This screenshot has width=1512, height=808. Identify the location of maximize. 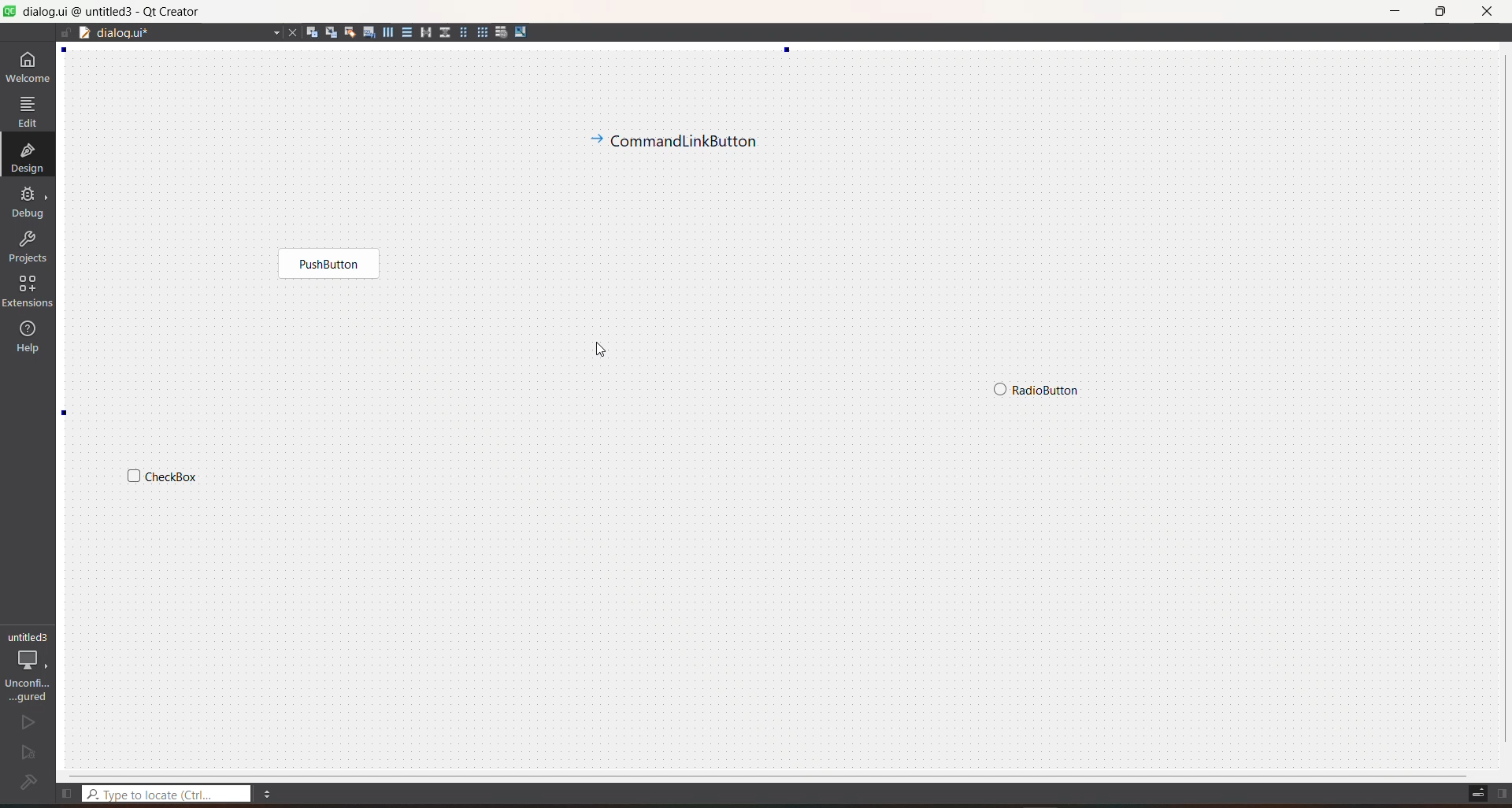
(1441, 15).